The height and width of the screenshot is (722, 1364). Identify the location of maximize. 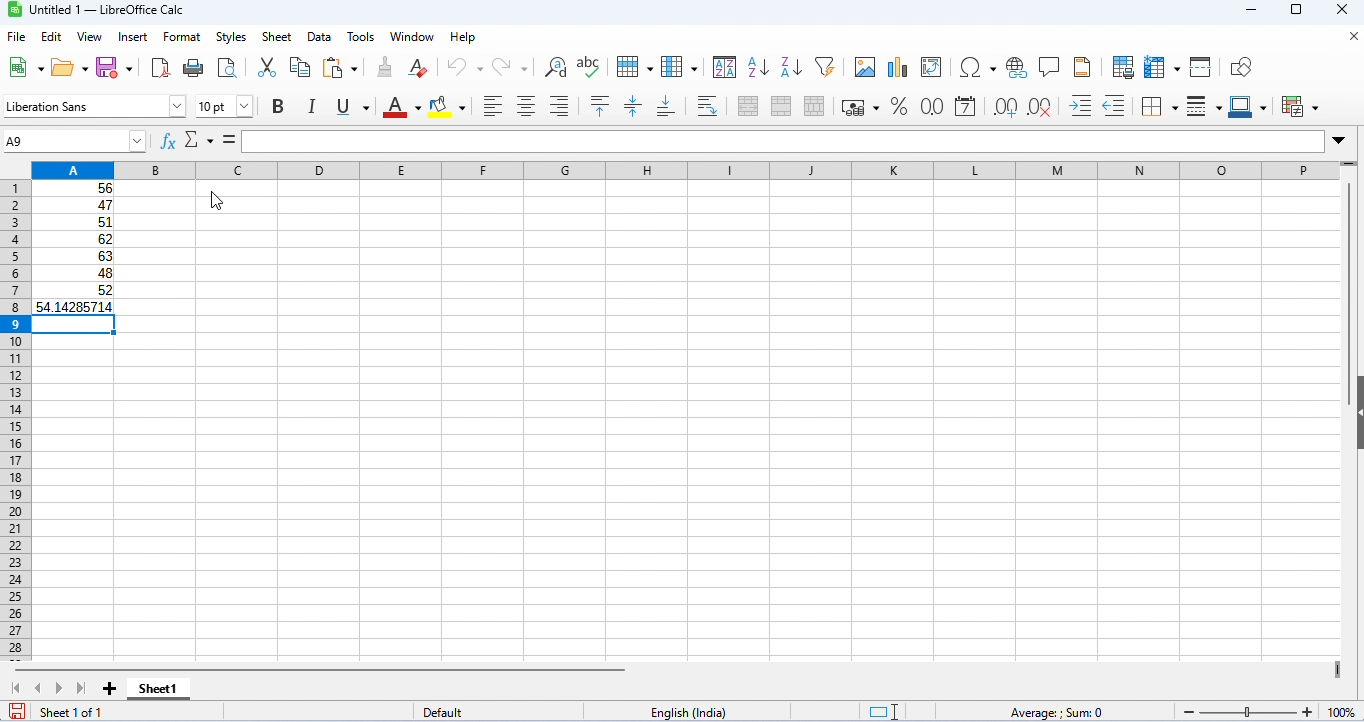
(1296, 12).